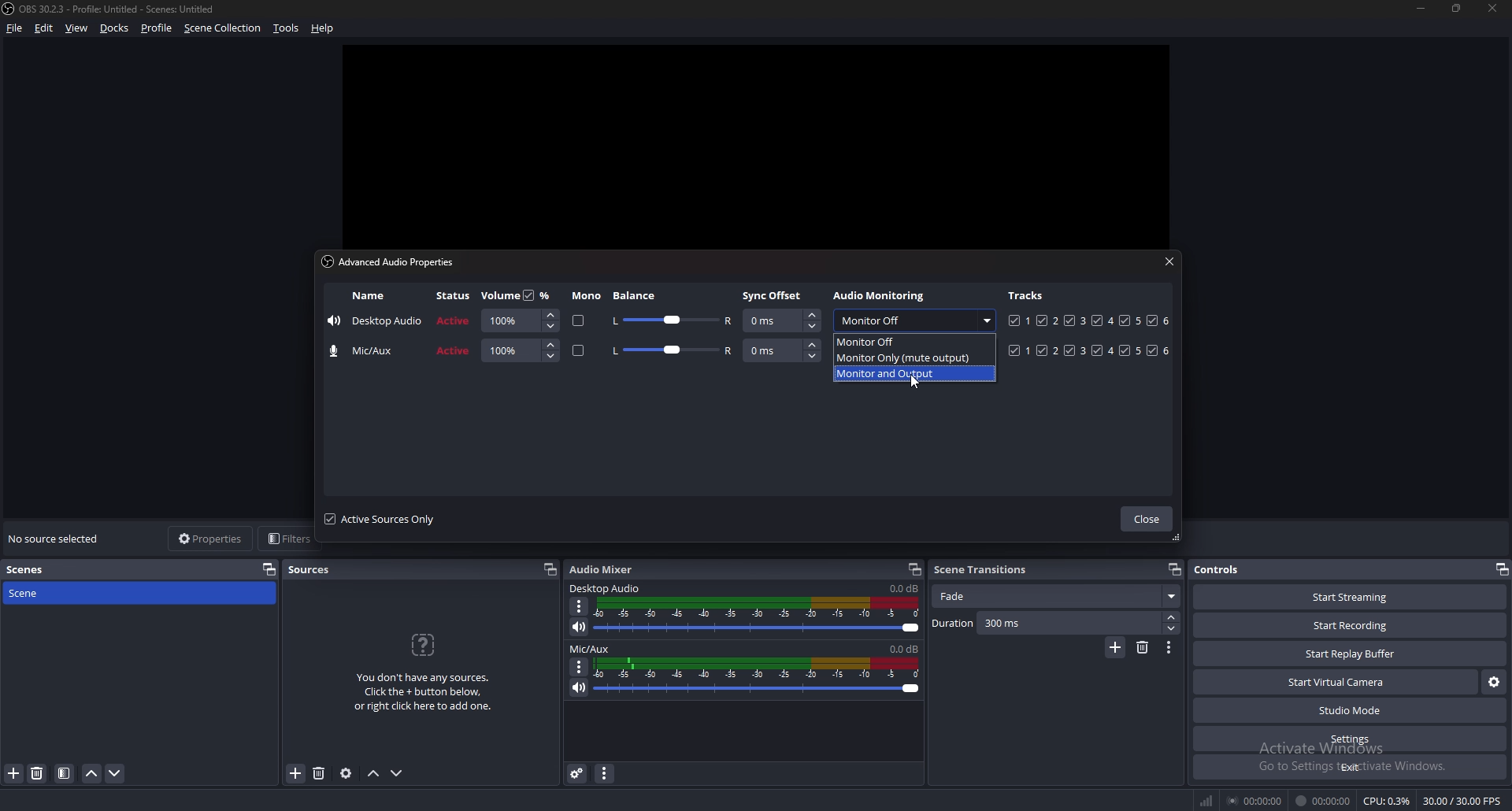 The image size is (1512, 811). Describe the element at coordinates (1171, 617) in the screenshot. I see `increase duration` at that location.